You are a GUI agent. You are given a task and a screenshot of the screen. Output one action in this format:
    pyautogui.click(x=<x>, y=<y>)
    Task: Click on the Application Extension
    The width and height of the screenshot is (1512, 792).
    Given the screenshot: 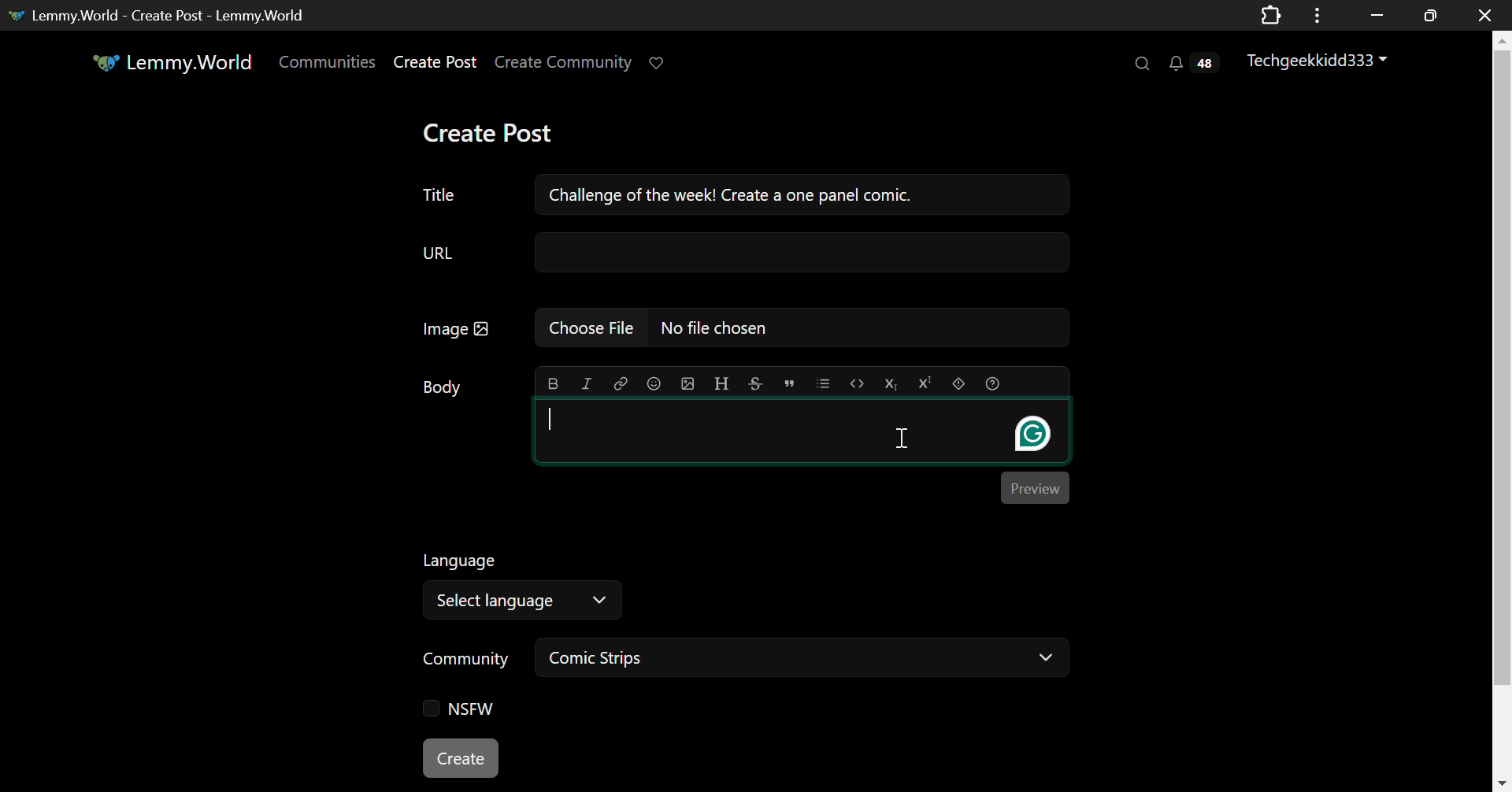 What is the action you would take?
    pyautogui.click(x=1274, y=13)
    